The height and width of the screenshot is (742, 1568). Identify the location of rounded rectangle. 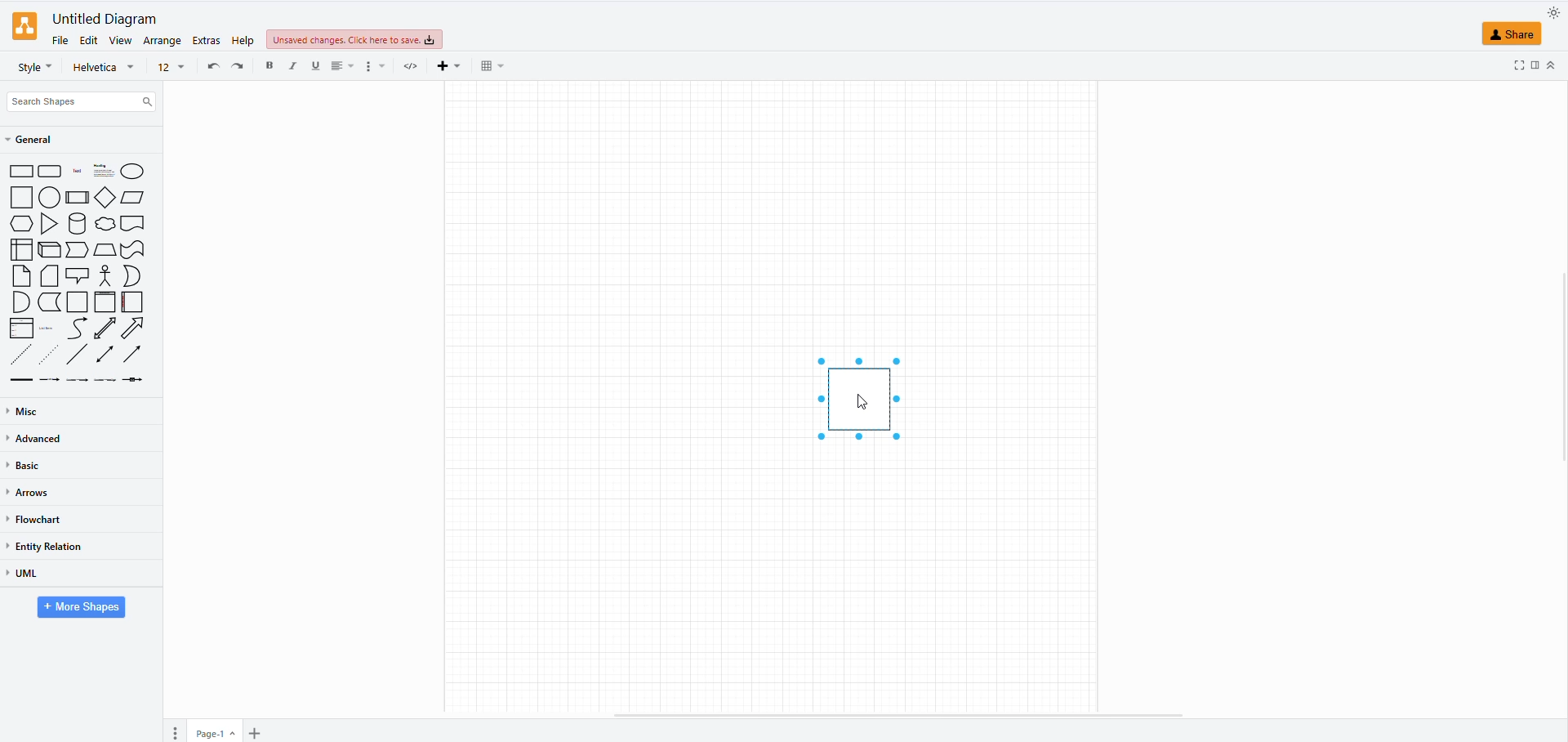
(51, 172).